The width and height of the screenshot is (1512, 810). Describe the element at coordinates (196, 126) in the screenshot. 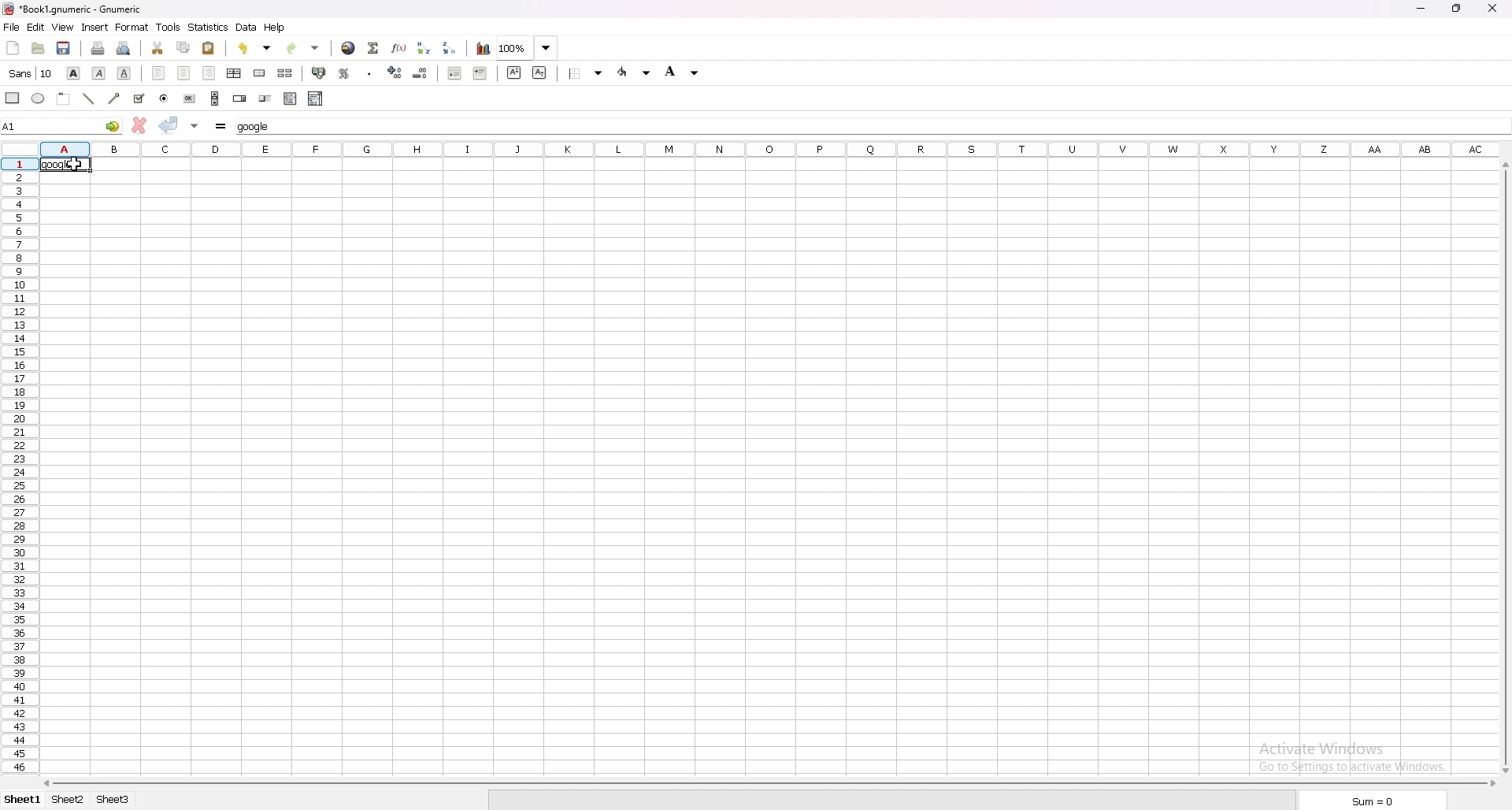

I see `accept changes in multple cell` at that location.